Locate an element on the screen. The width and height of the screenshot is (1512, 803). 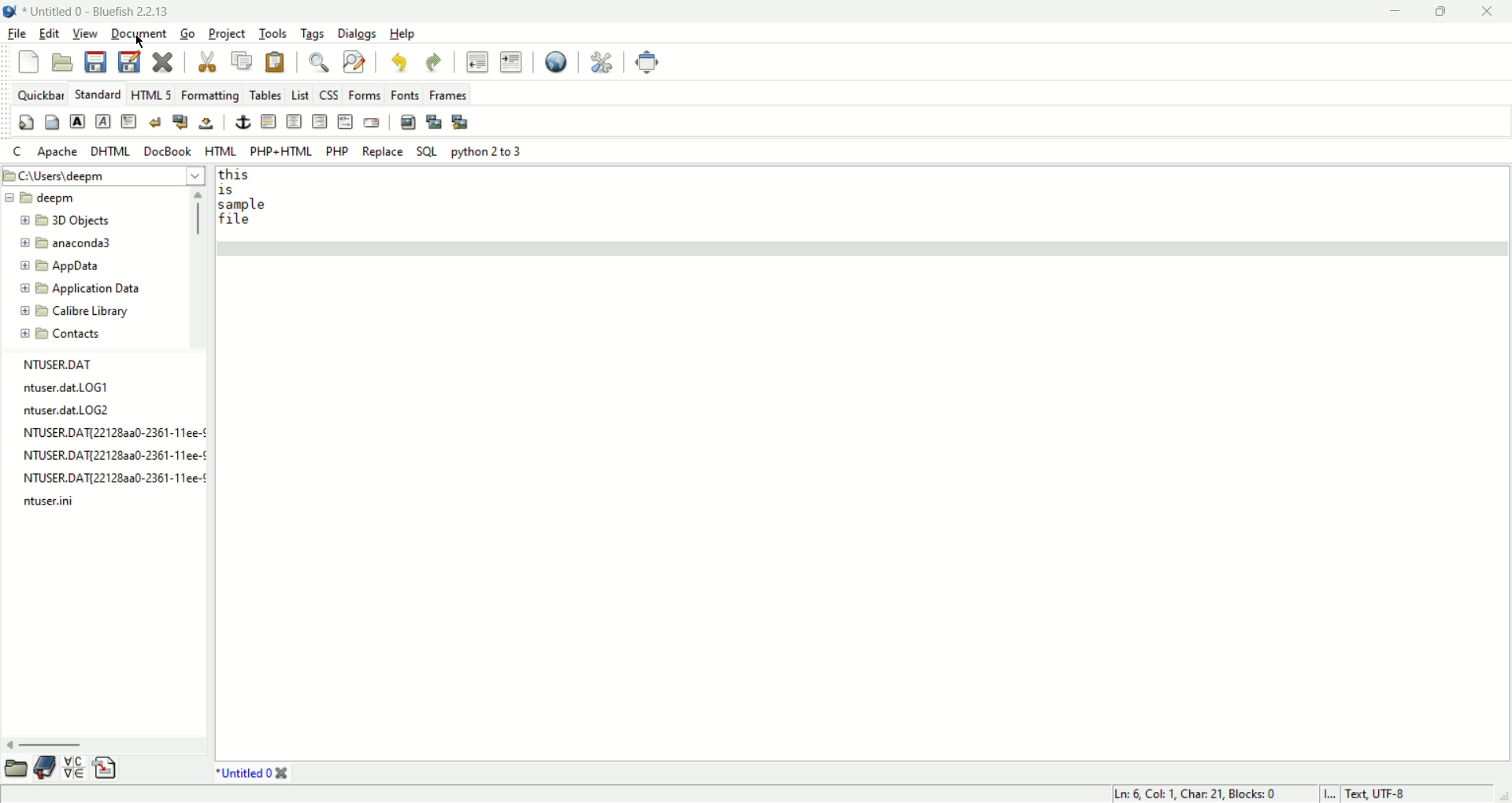
formatting is located at coordinates (211, 94).